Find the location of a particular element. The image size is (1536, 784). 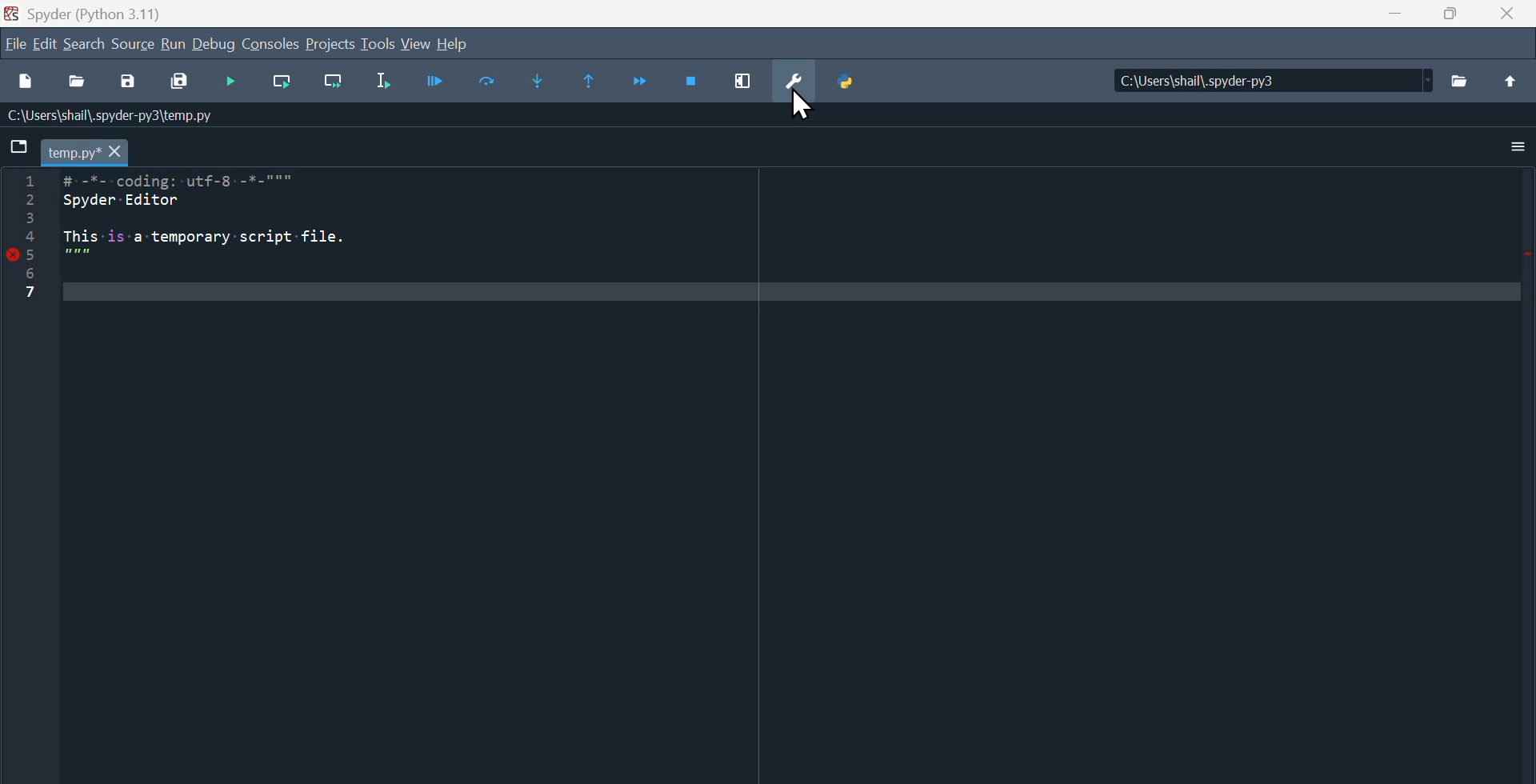

Run cell is located at coordinates (486, 83).